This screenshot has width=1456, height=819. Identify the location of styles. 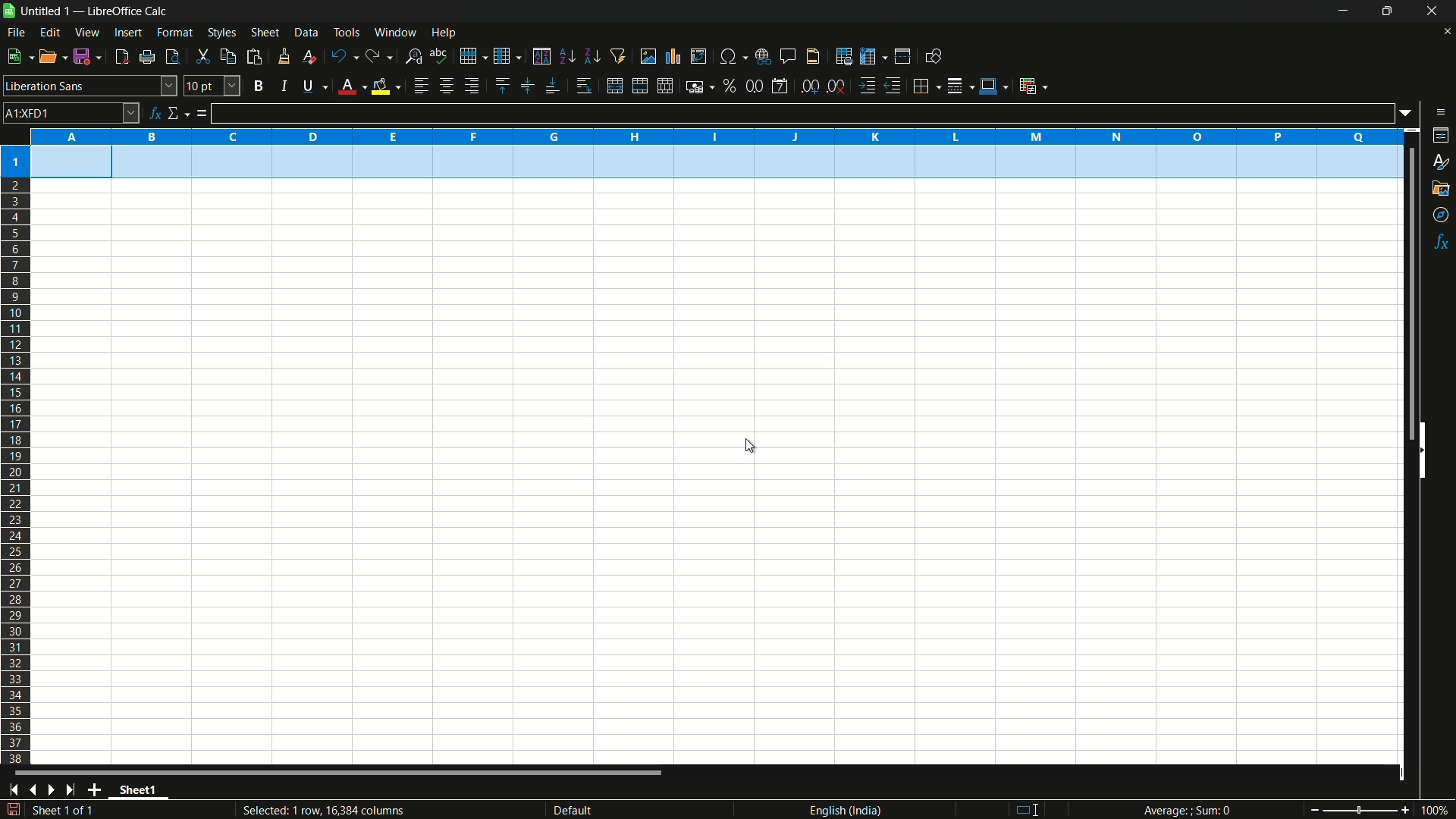
(1439, 163).